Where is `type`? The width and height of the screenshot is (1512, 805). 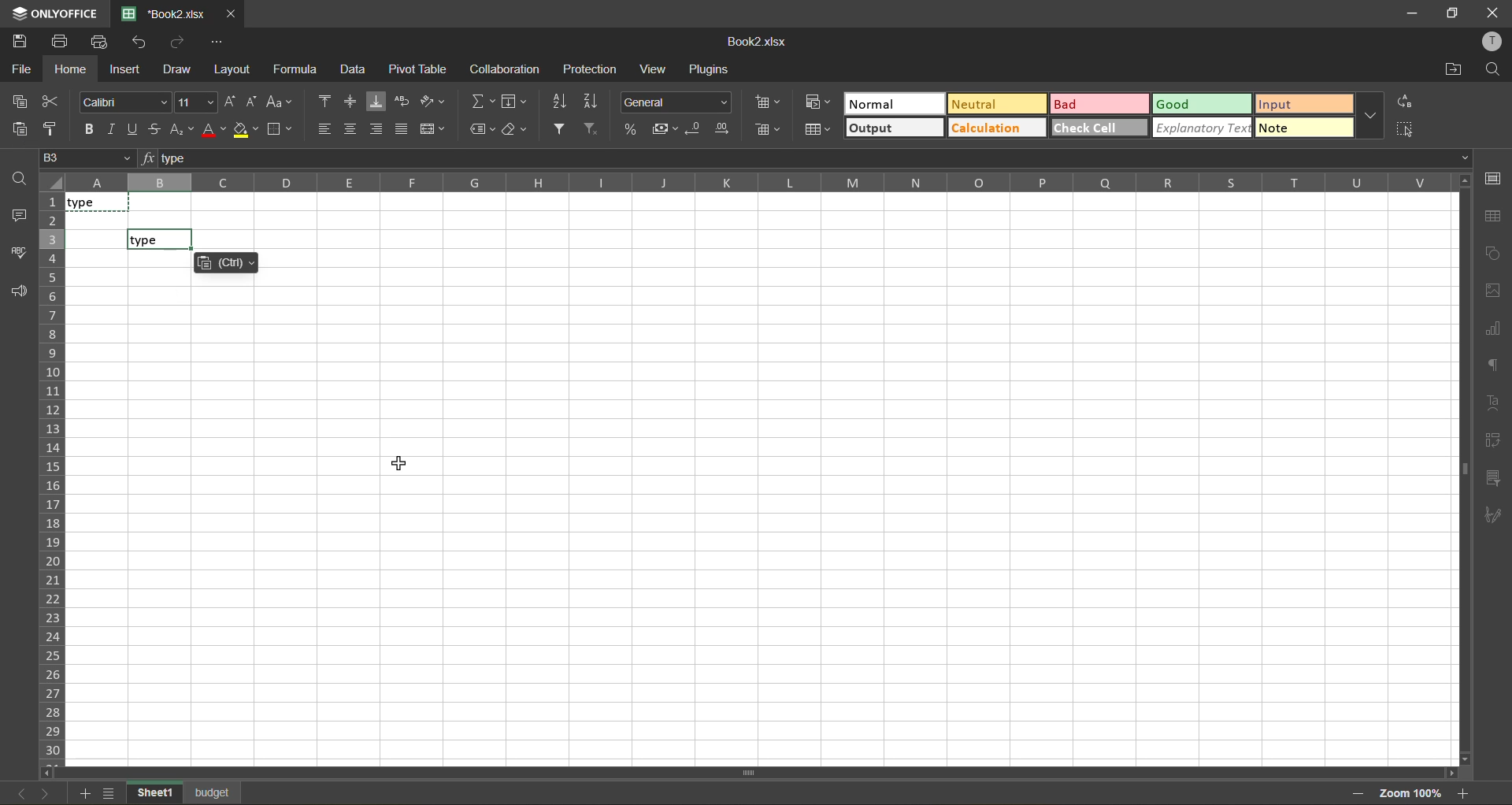
type is located at coordinates (161, 237).